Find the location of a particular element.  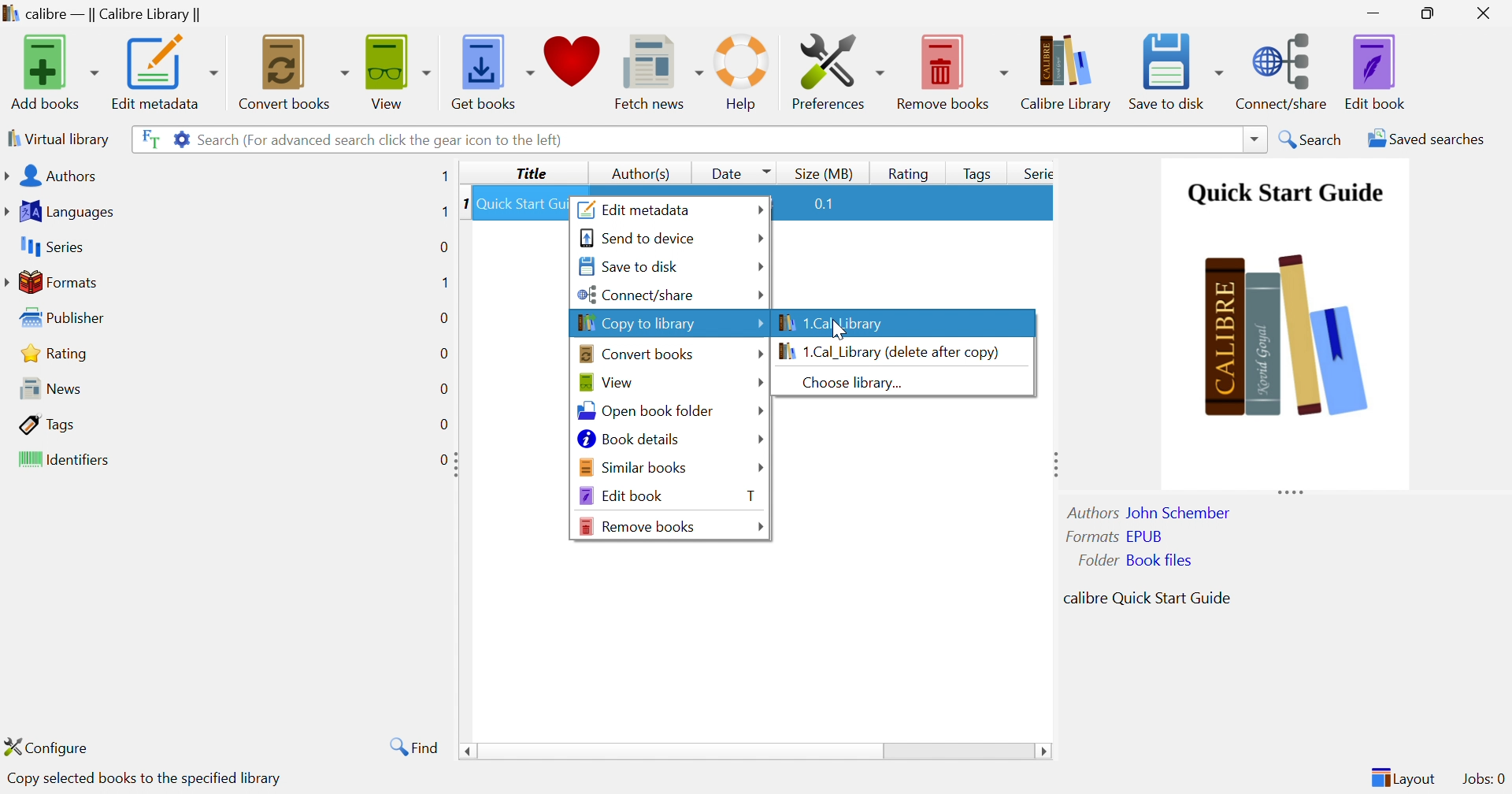

Fetch news is located at coordinates (655, 69).